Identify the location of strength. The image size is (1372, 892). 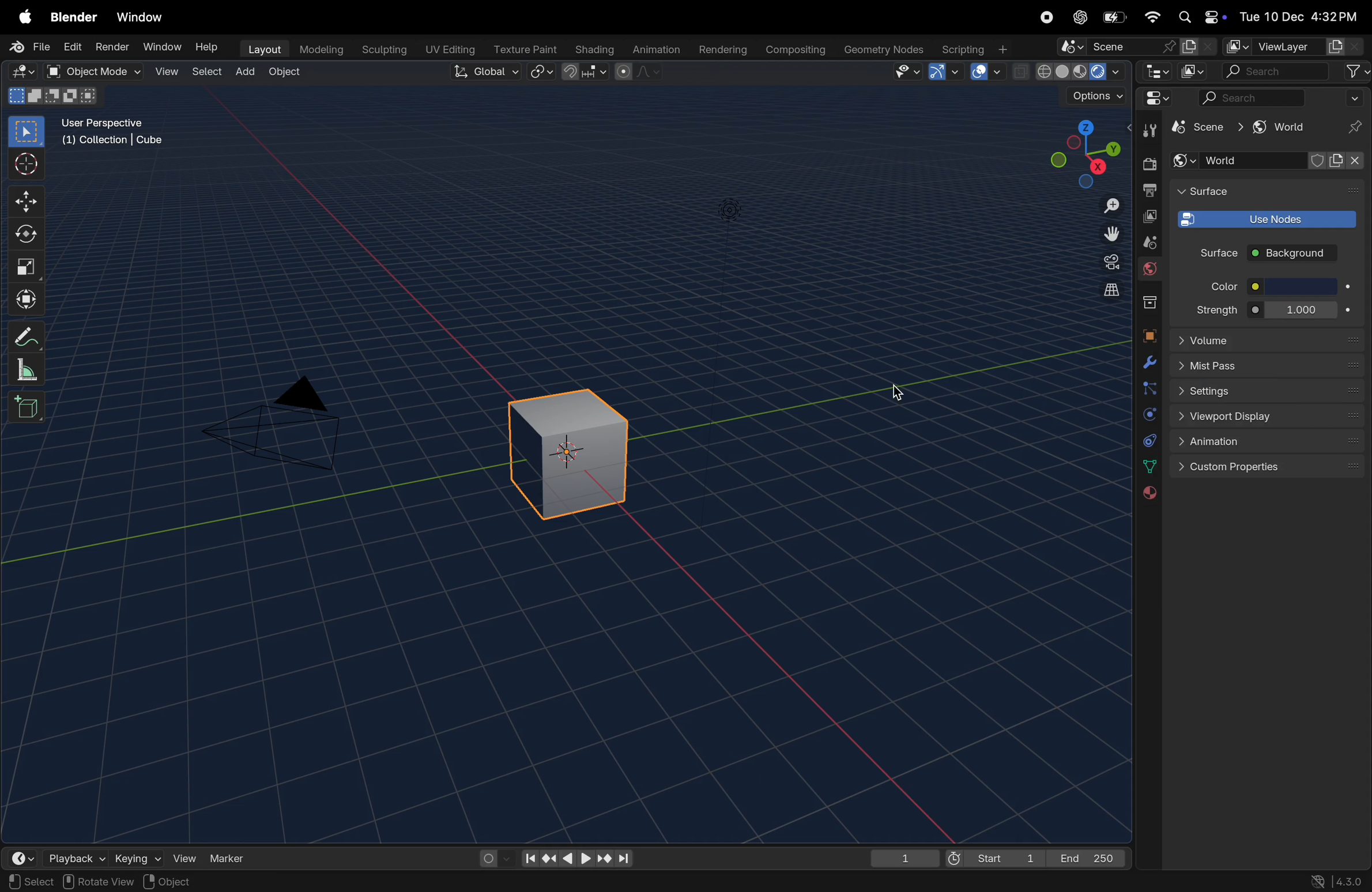
(1216, 309).